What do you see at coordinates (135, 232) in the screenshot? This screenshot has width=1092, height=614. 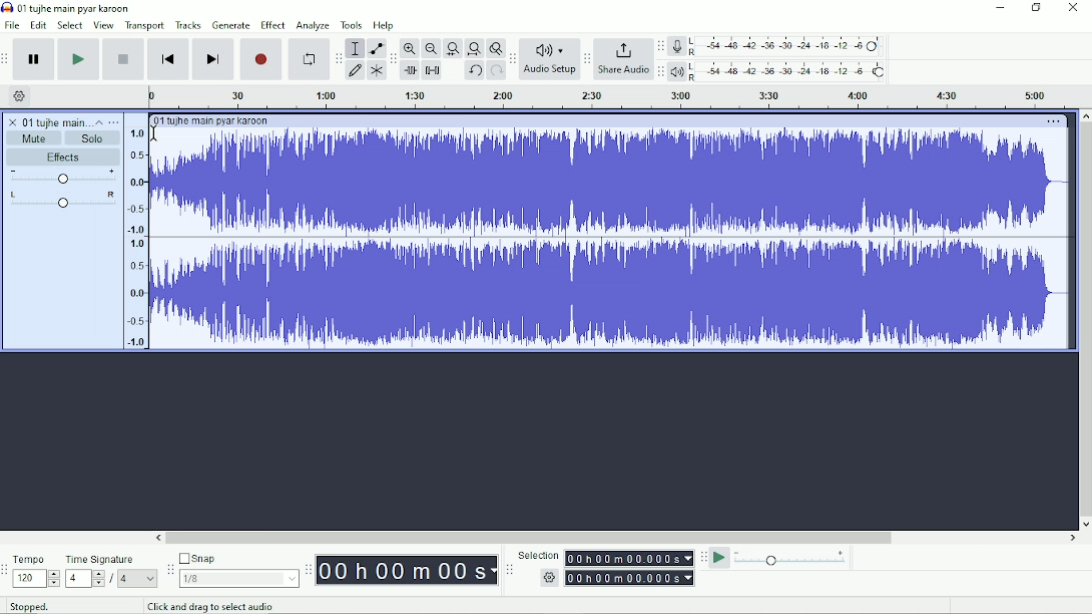 I see `Sound` at bounding box center [135, 232].